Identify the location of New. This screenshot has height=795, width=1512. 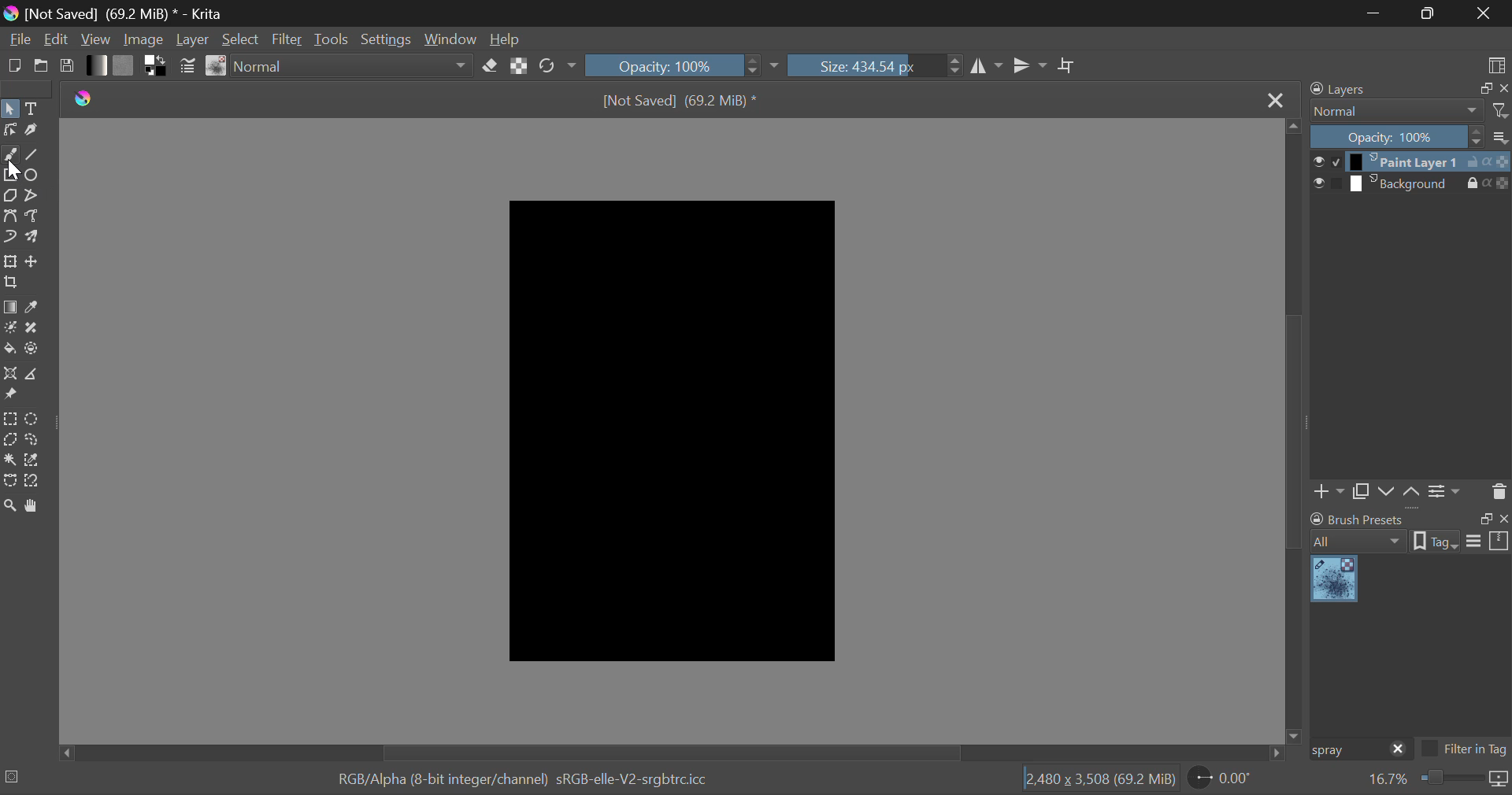
(14, 65).